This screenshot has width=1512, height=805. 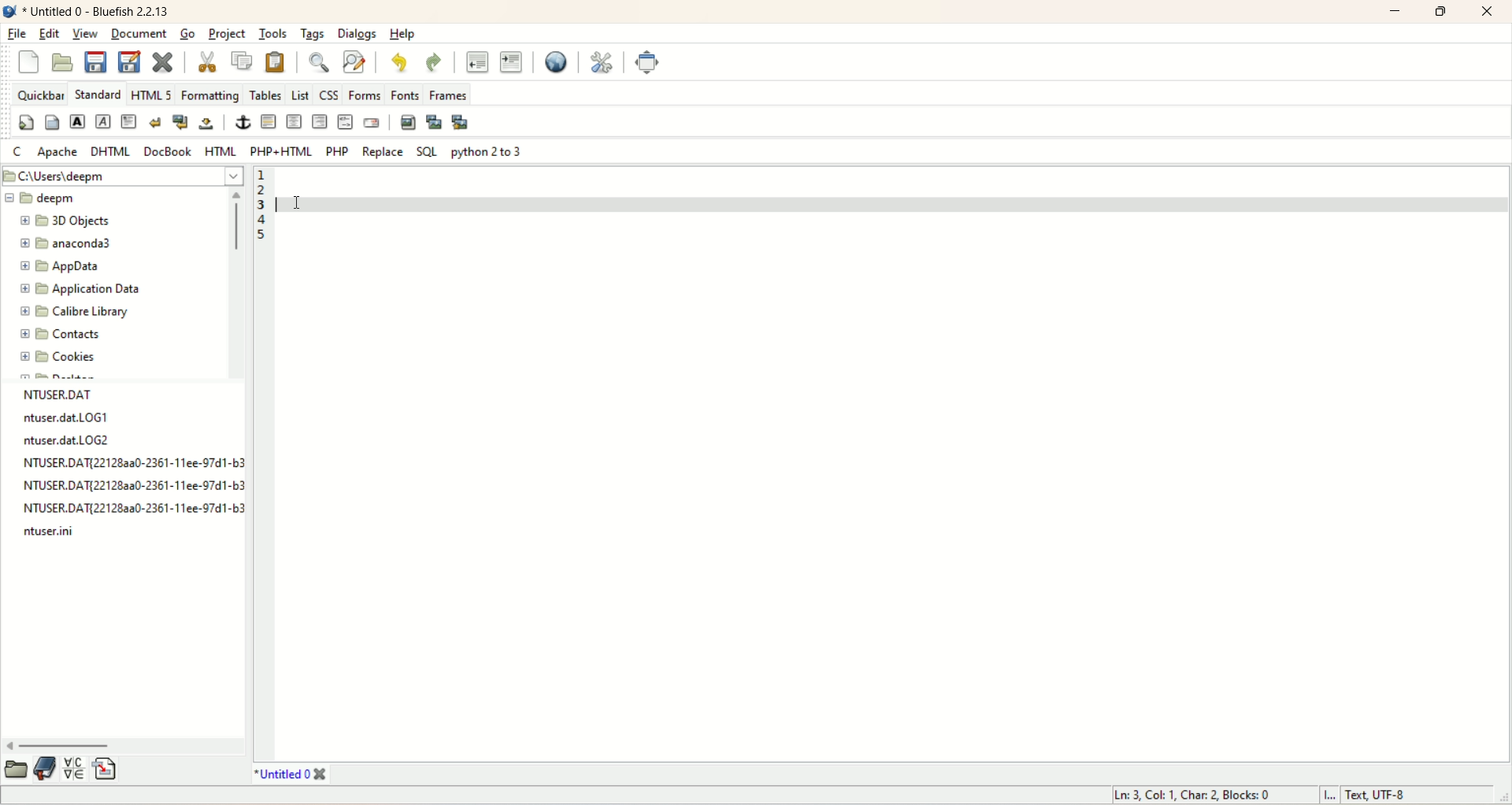 What do you see at coordinates (297, 202) in the screenshot?
I see `Cursor` at bounding box center [297, 202].